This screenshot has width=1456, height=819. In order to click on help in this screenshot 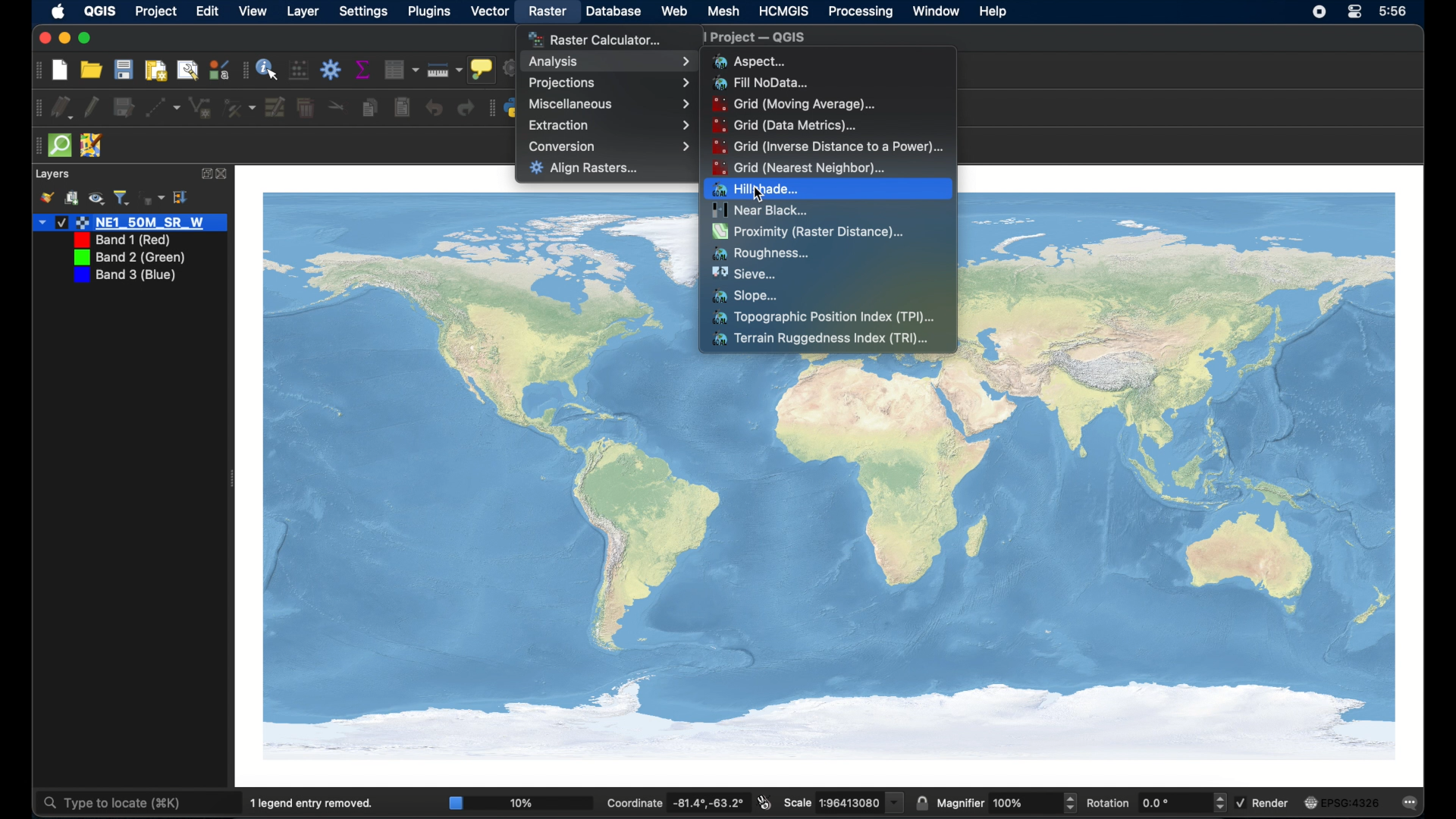, I will do `click(994, 12)`.